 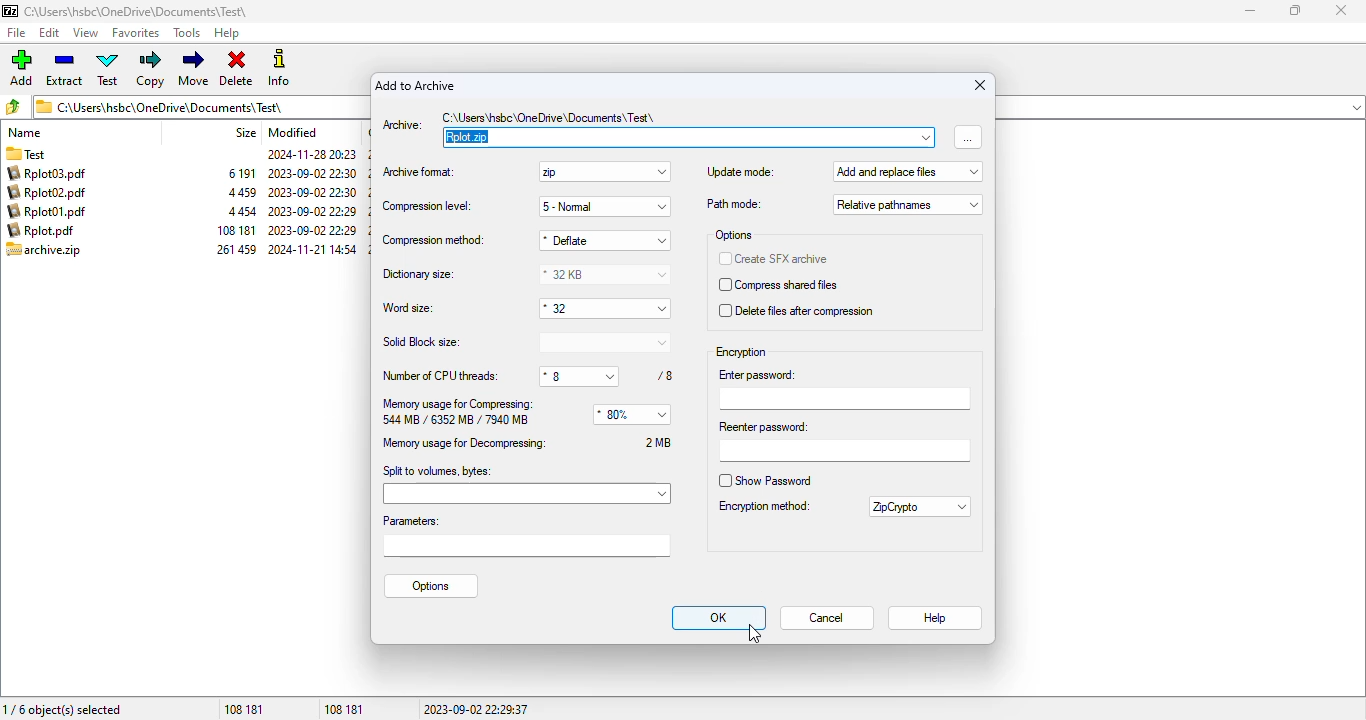 What do you see at coordinates (523, 240) in the screenshot?
I see `compression method: * deflate` at bounding box center [523, 240].